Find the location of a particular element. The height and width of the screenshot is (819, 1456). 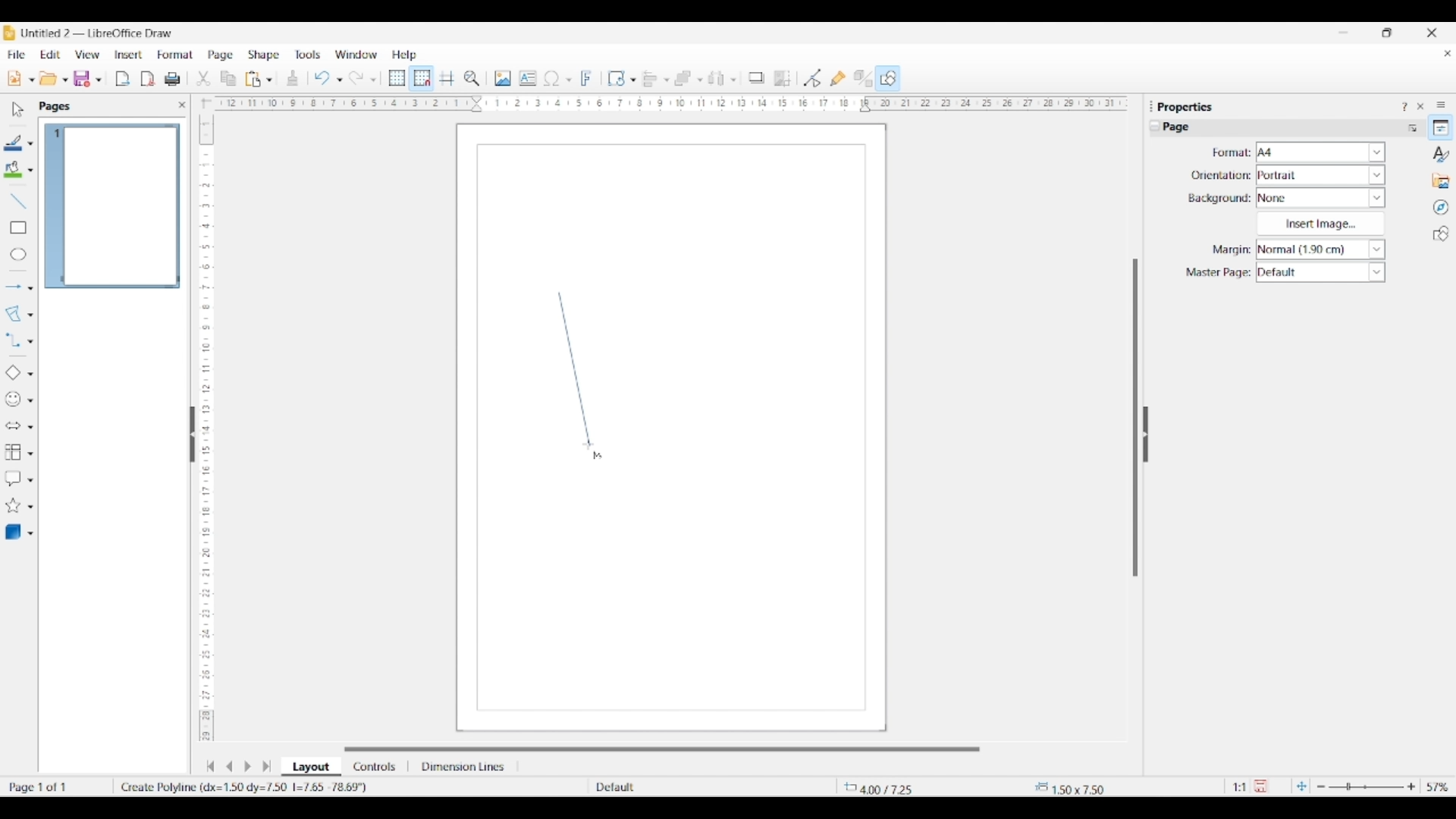

Move to previous slide is located at coordinates (229, 766).